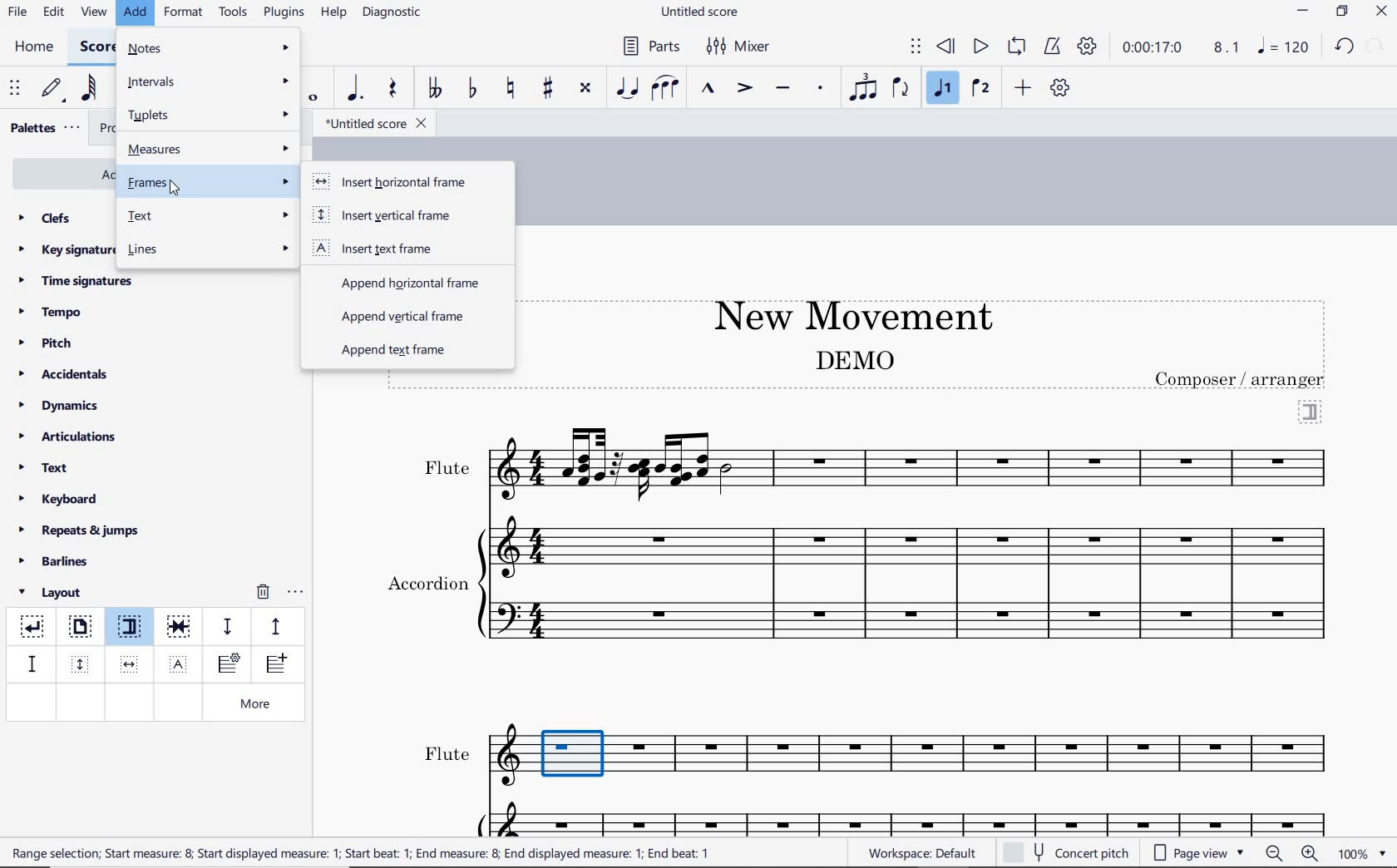 The image size is (1397, 868). What do you see at coordinates (17, 89) in the screenshot?
I see `select to move` at bounding box center [17, 89].